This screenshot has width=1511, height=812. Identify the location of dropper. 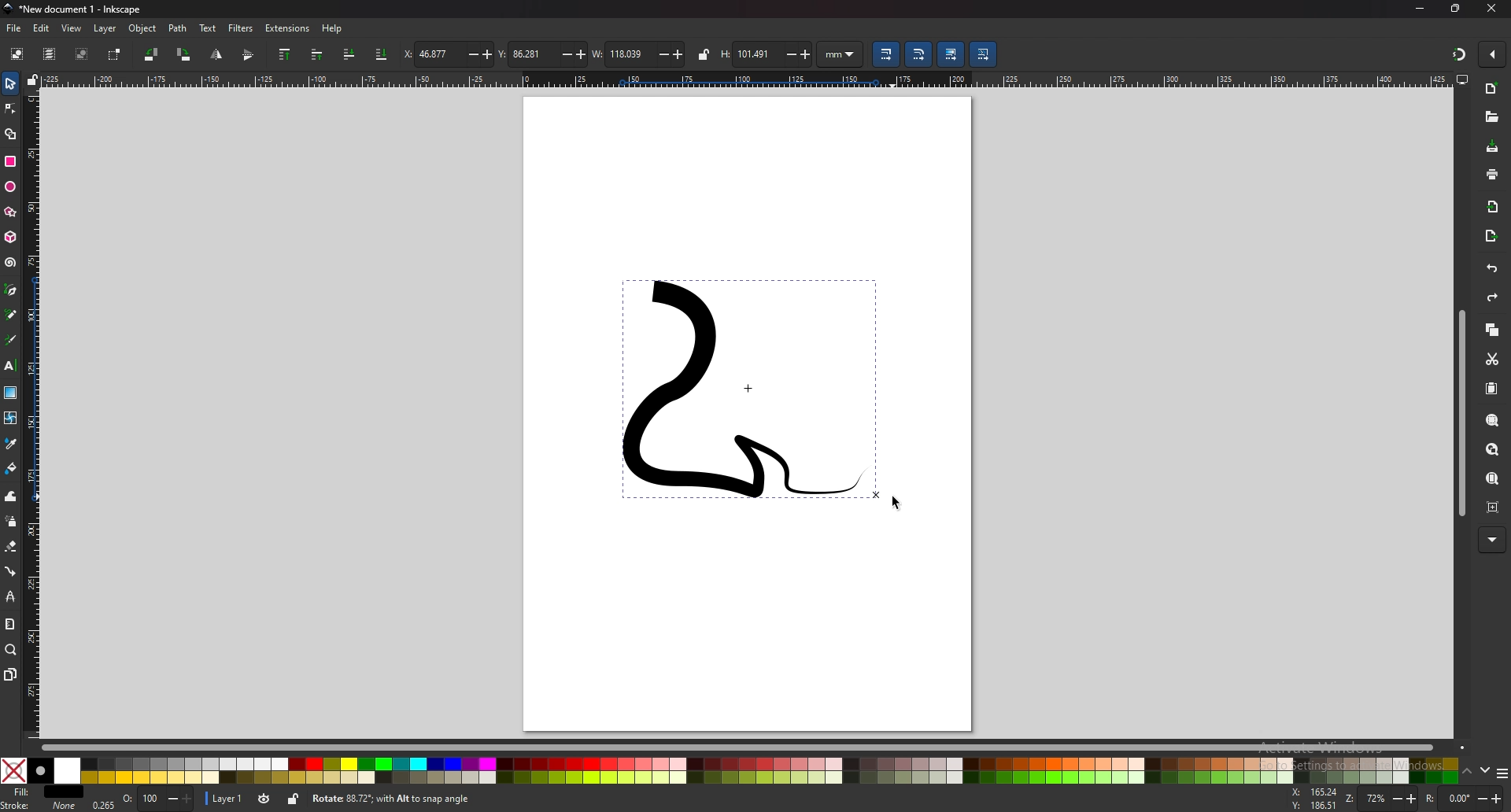
(11, 443).